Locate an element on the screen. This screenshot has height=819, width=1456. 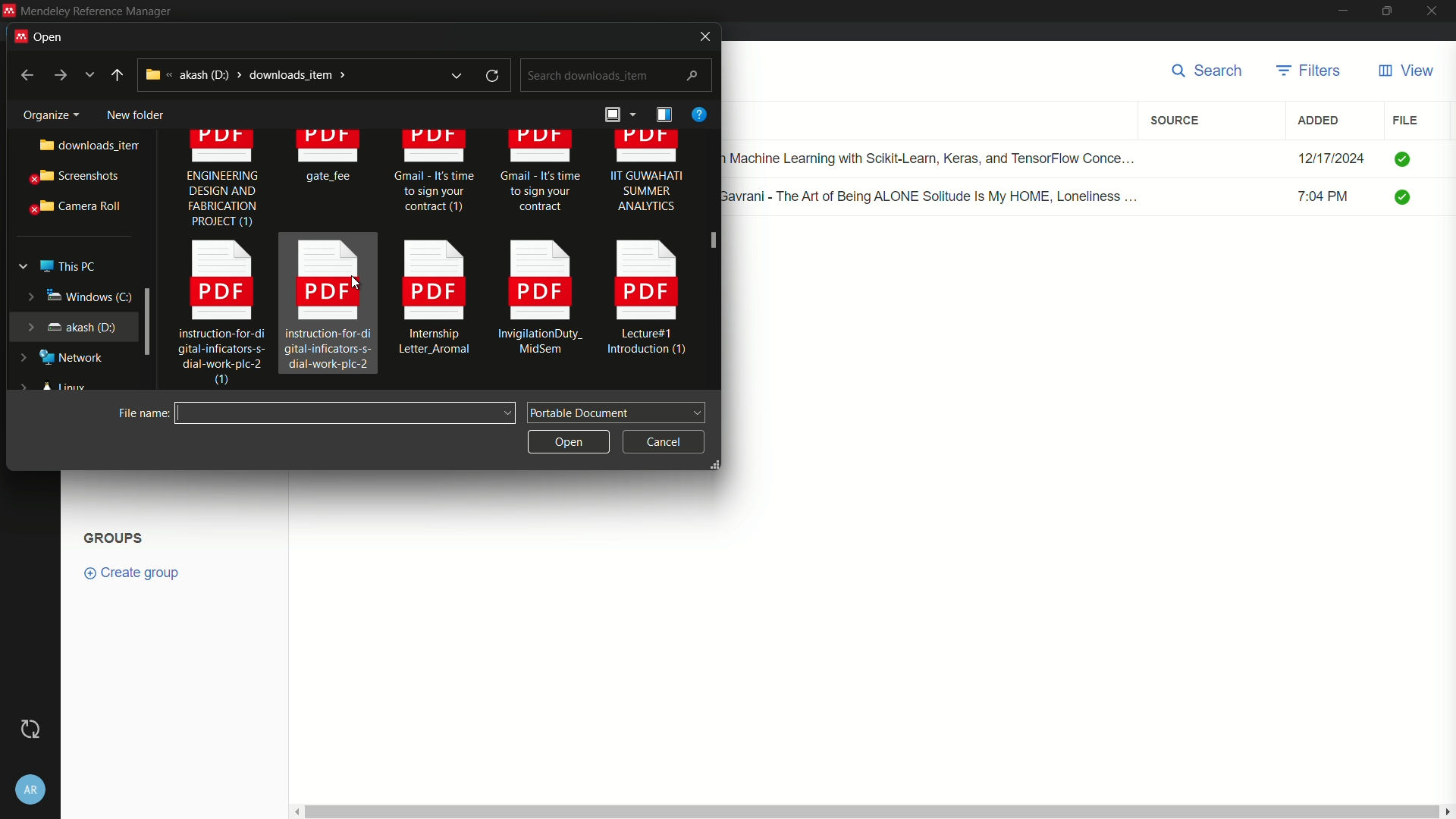
go to is located at coordinates (59, 76).